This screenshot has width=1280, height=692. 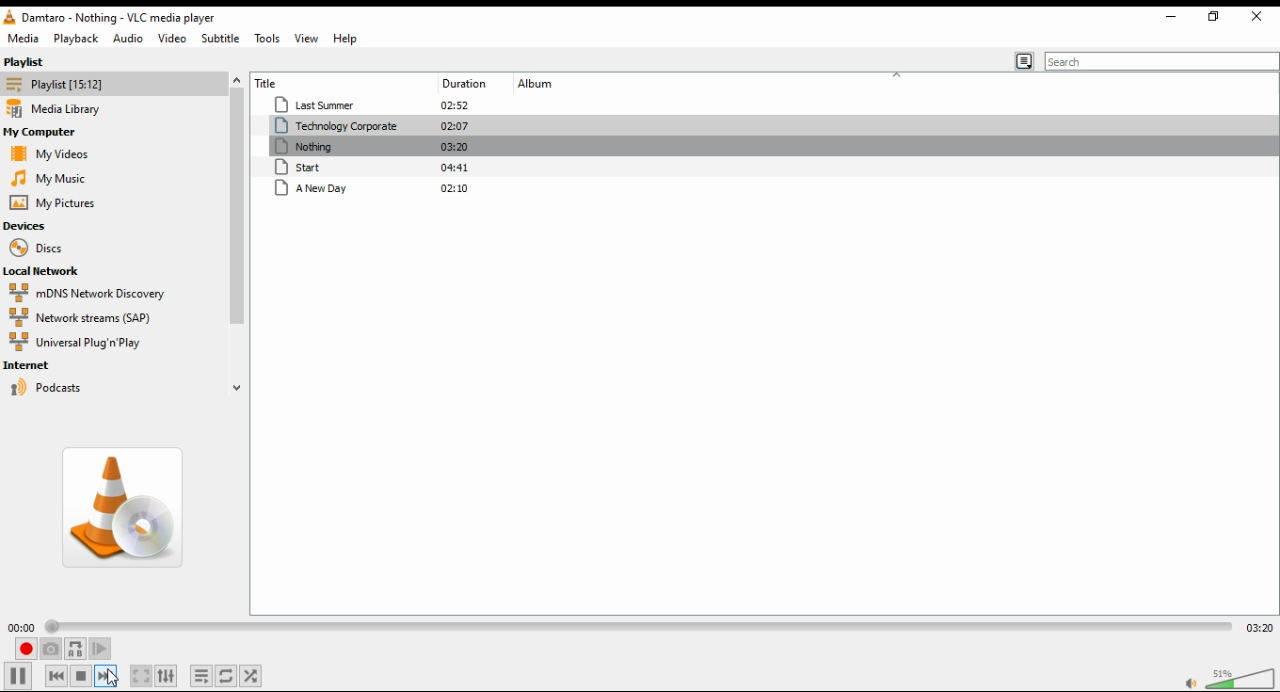 I want to click on discs, so click(x=37, y=250).